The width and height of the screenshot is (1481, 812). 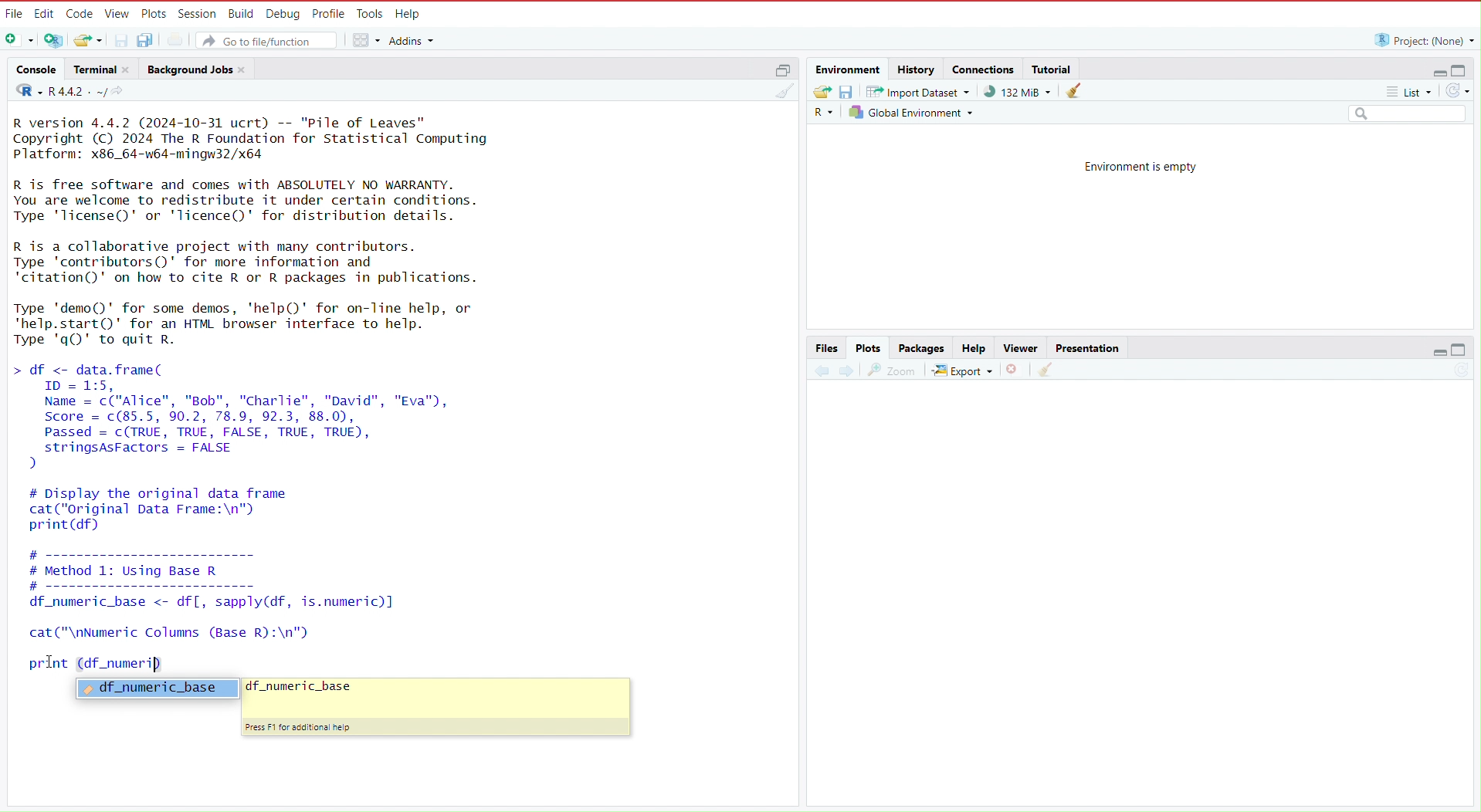 What do you see at coordinates (843, 370) in the screenshot?
I see `next plot` at bounding box center [843, 370].